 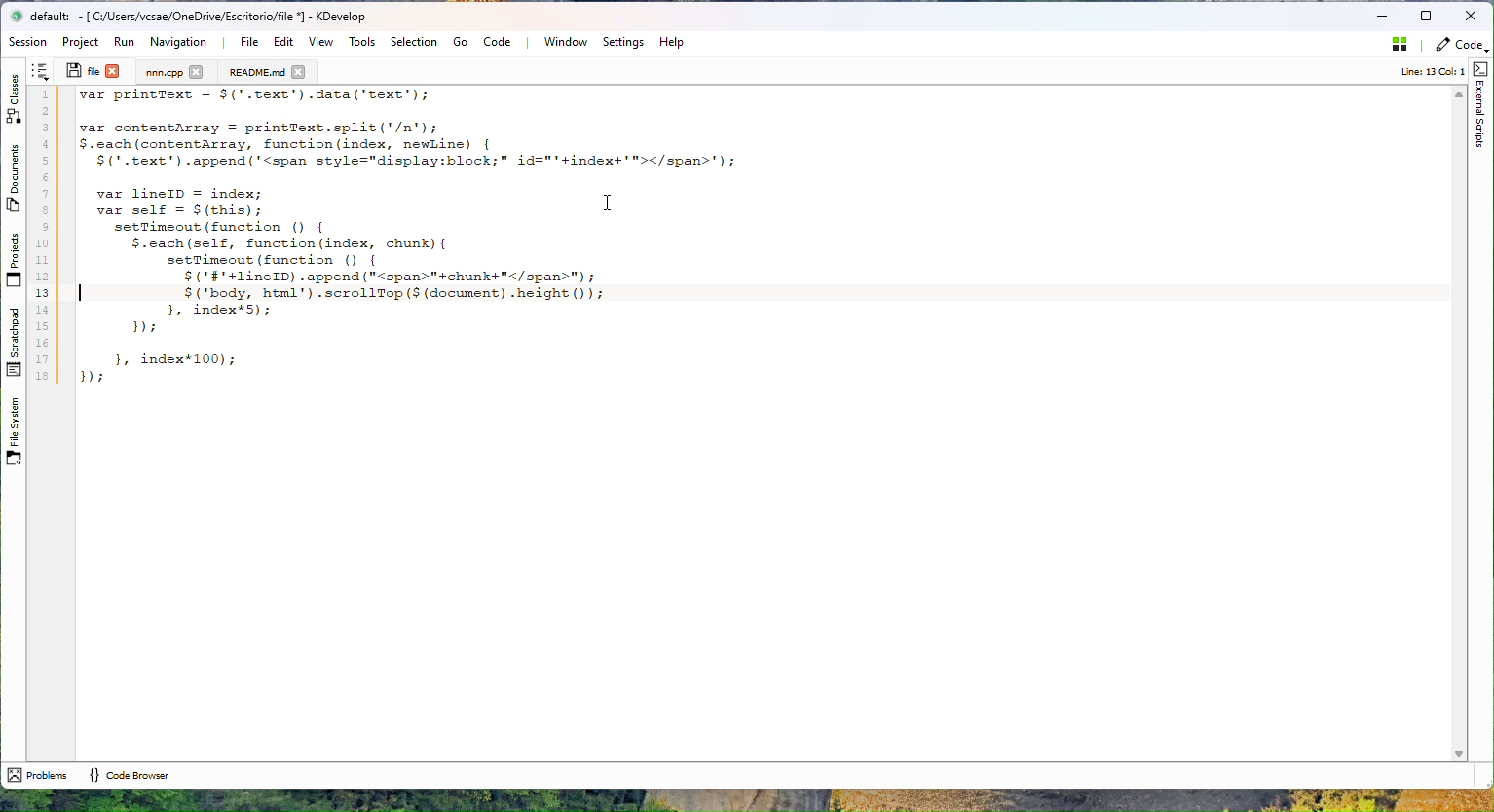 What do you see at coordinates (409, 238) in the screenshot?
I see `code` at bounding box center [409, 238].